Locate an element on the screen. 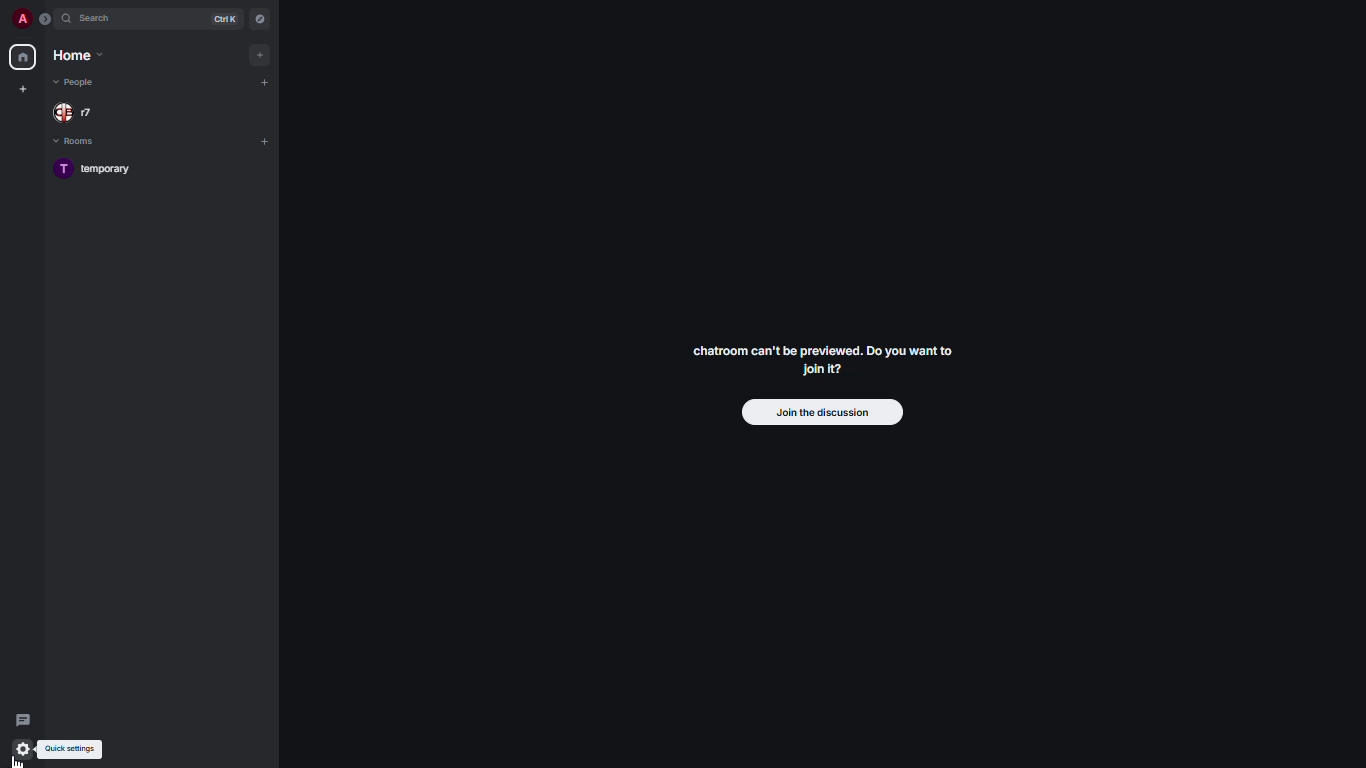 The width and height of the screenshot is (1366, 768). threads is located at coordinates (21, 718).